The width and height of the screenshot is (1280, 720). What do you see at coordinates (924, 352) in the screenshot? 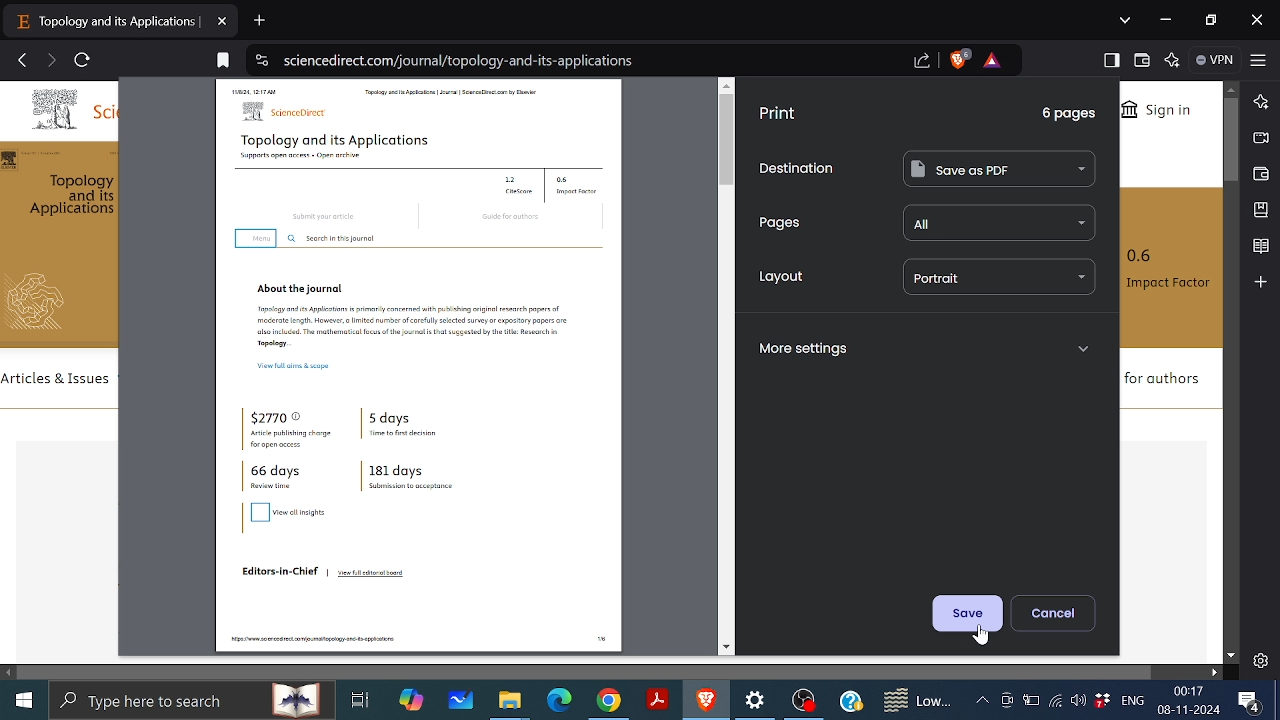
I see `More settings` at bounding box center [924, 352].